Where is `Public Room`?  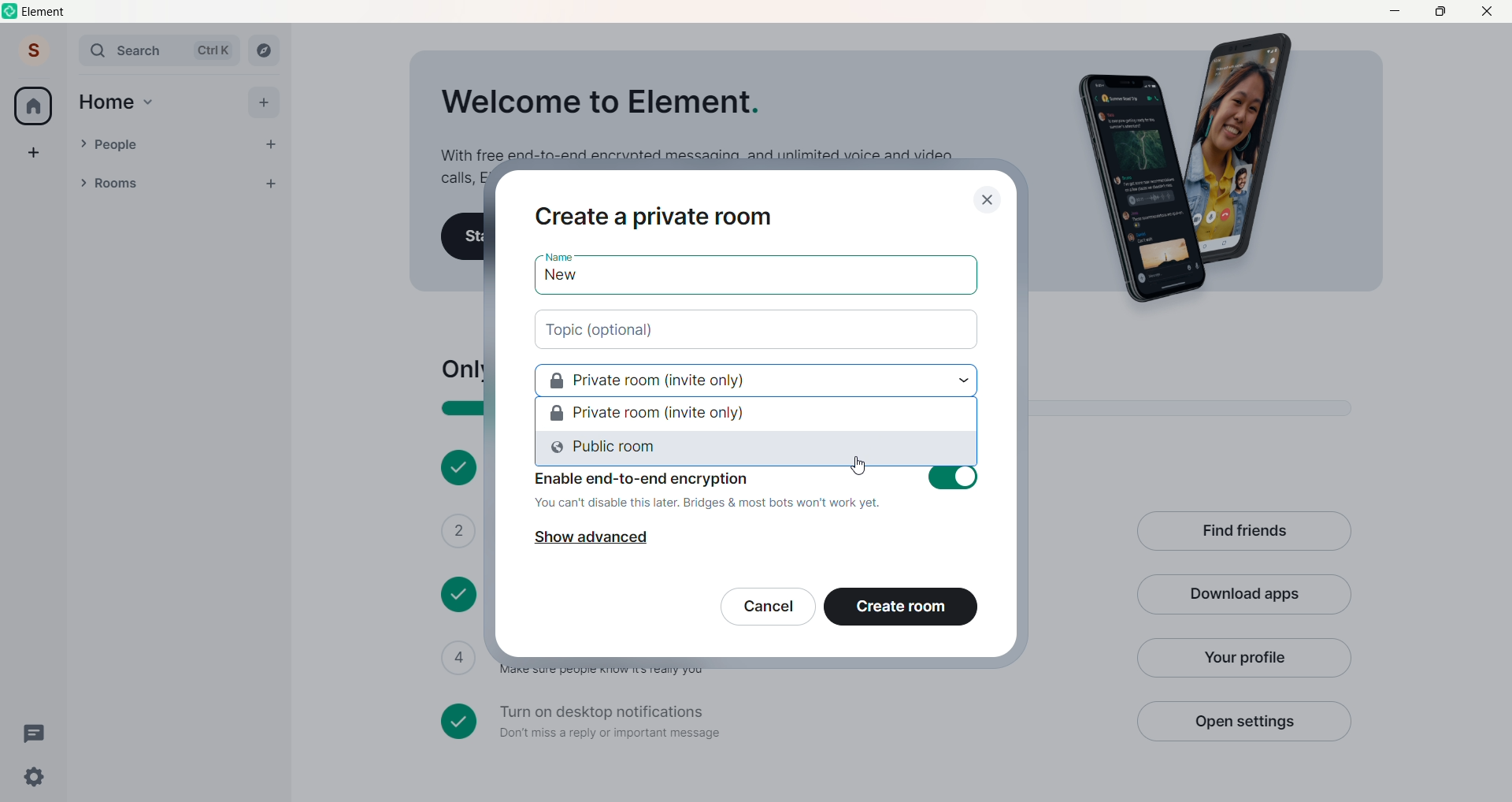 Public Room is located at coordinates (755, 450).